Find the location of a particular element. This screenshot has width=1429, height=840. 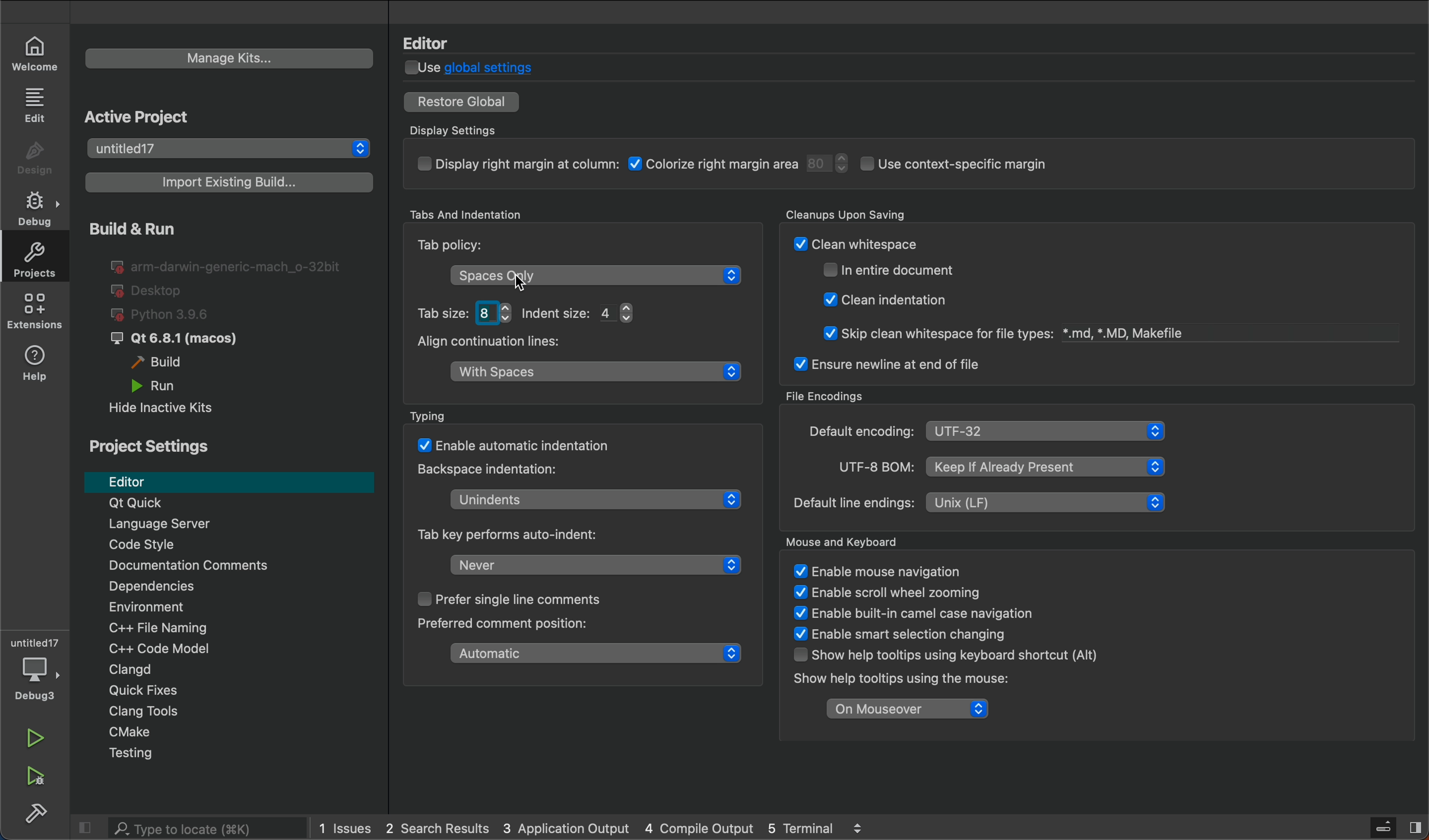

enable atomatic  is located at coordinates (576, 442).